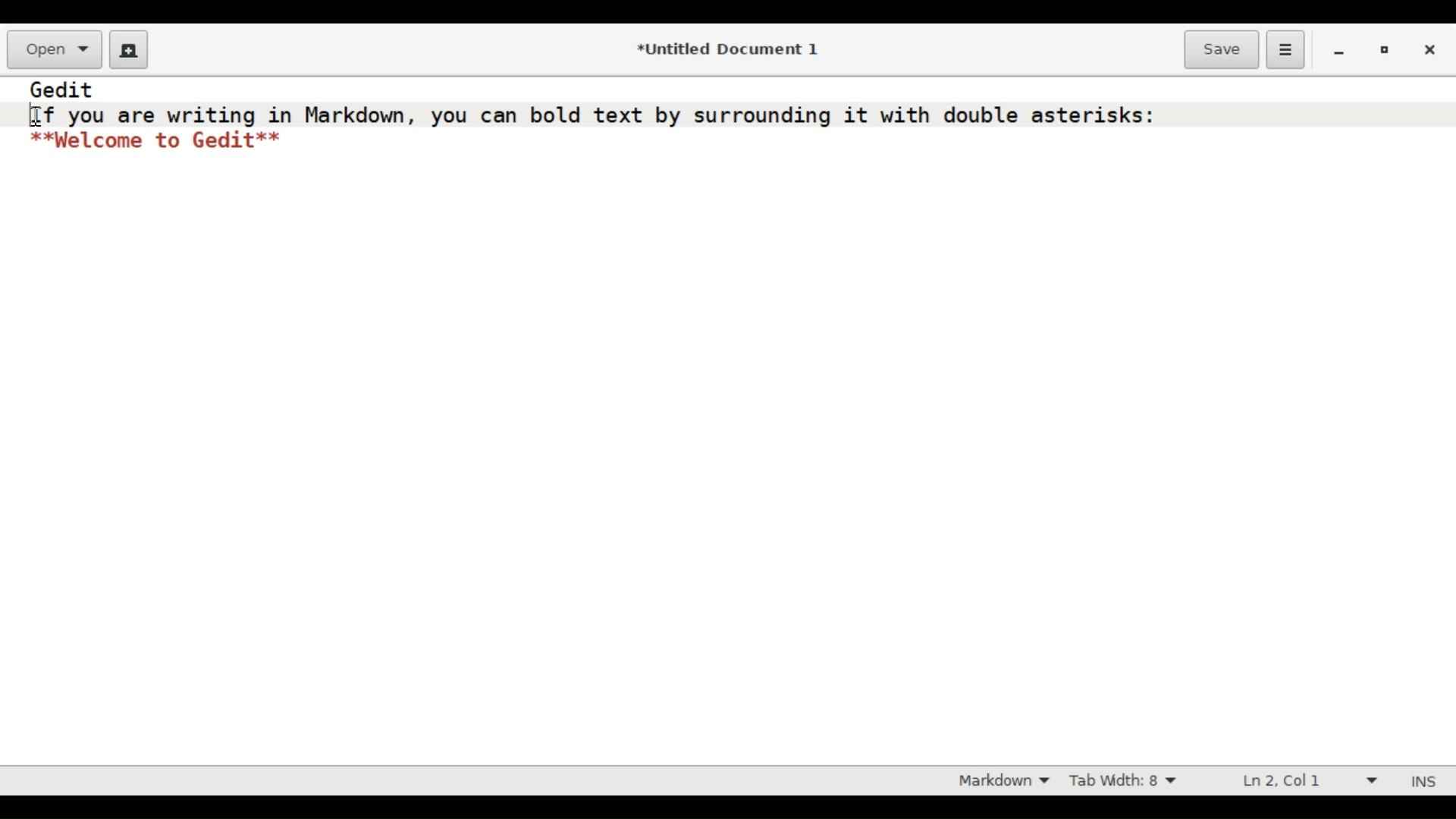  What do you see at coordinates (1431, 50) in the screenshot?
I see `Close` at bounding box center [1431, 50].